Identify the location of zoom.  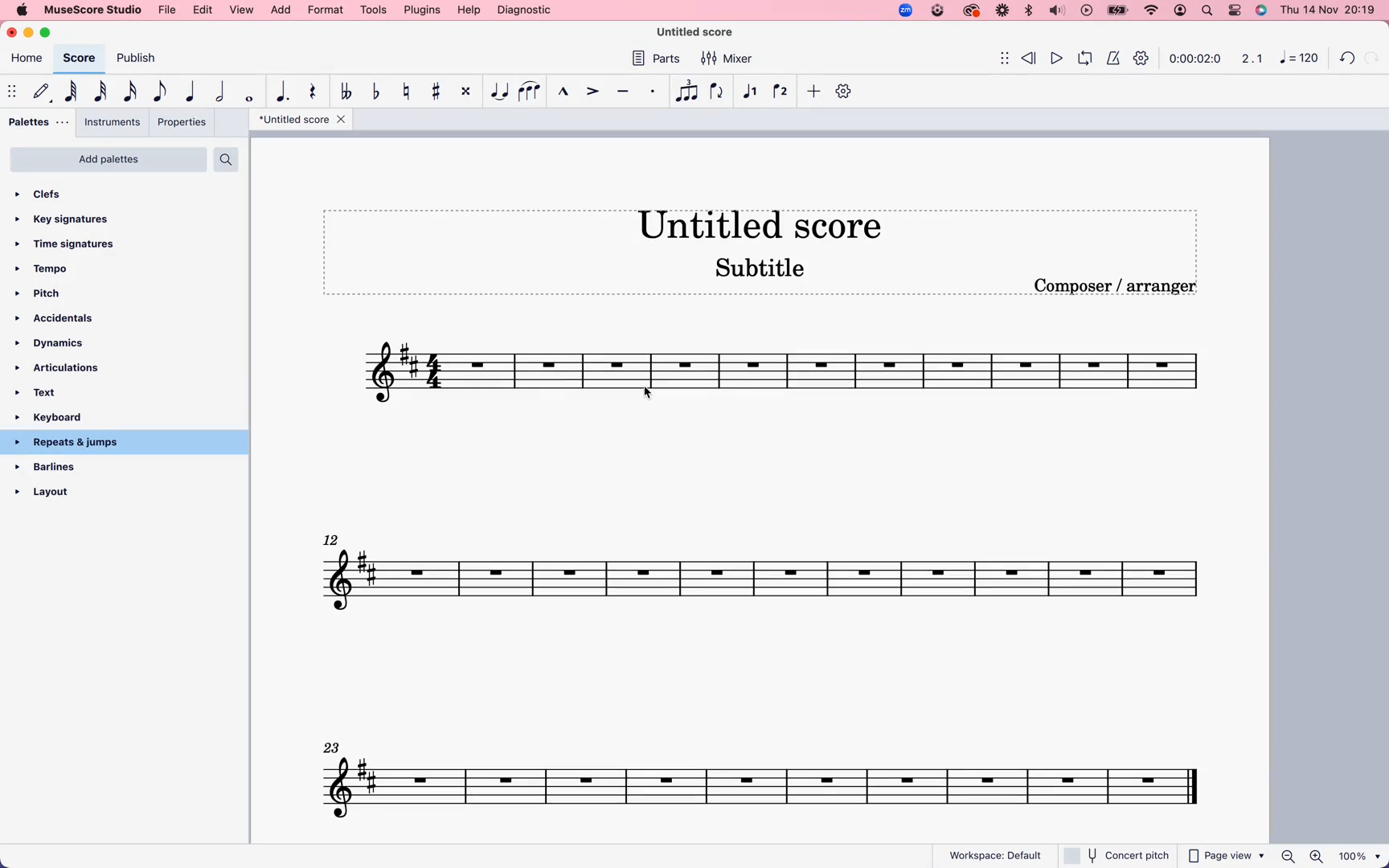
(1331, 857).